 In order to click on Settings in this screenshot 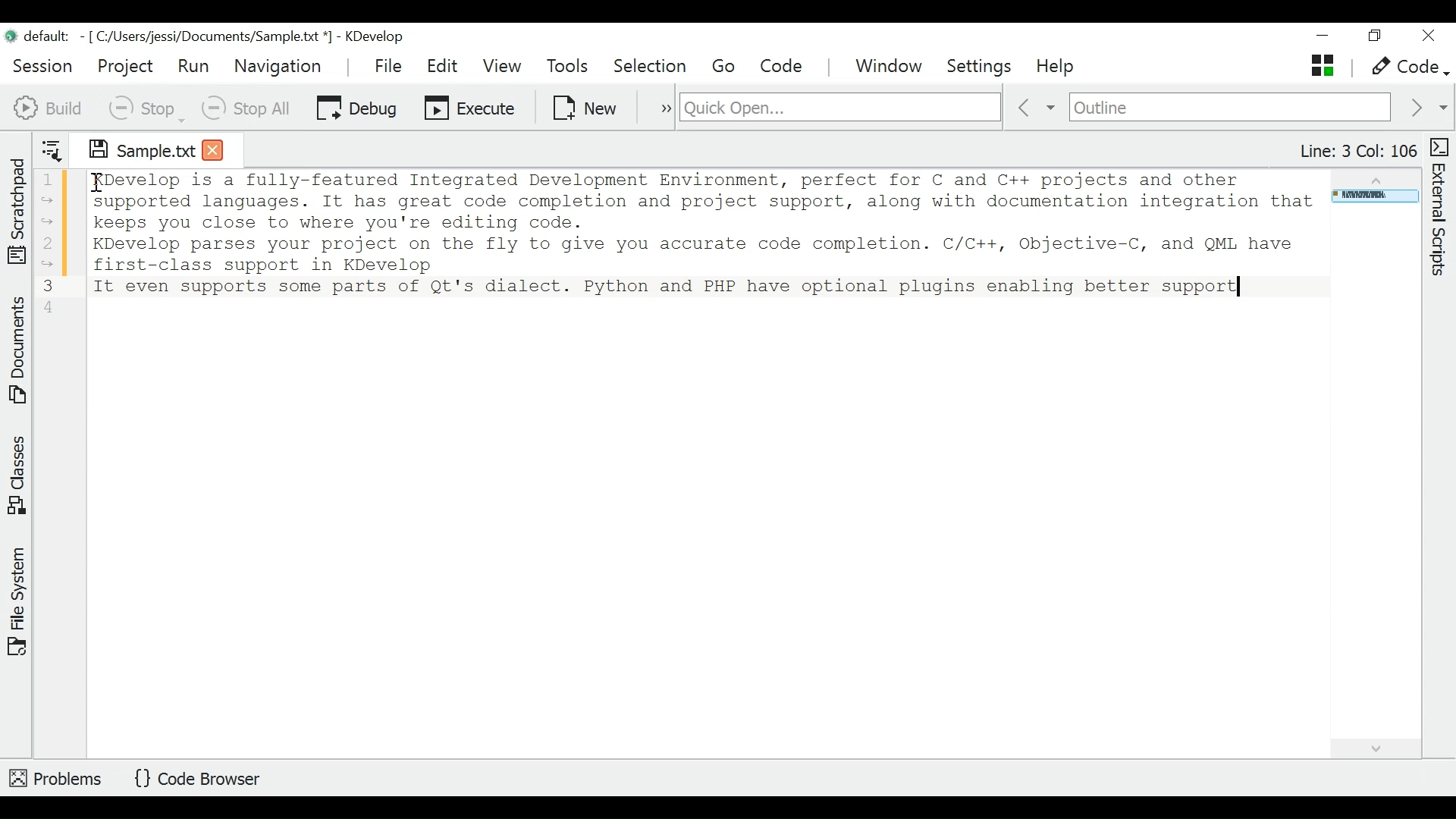, I will do `click(984, 67)`.